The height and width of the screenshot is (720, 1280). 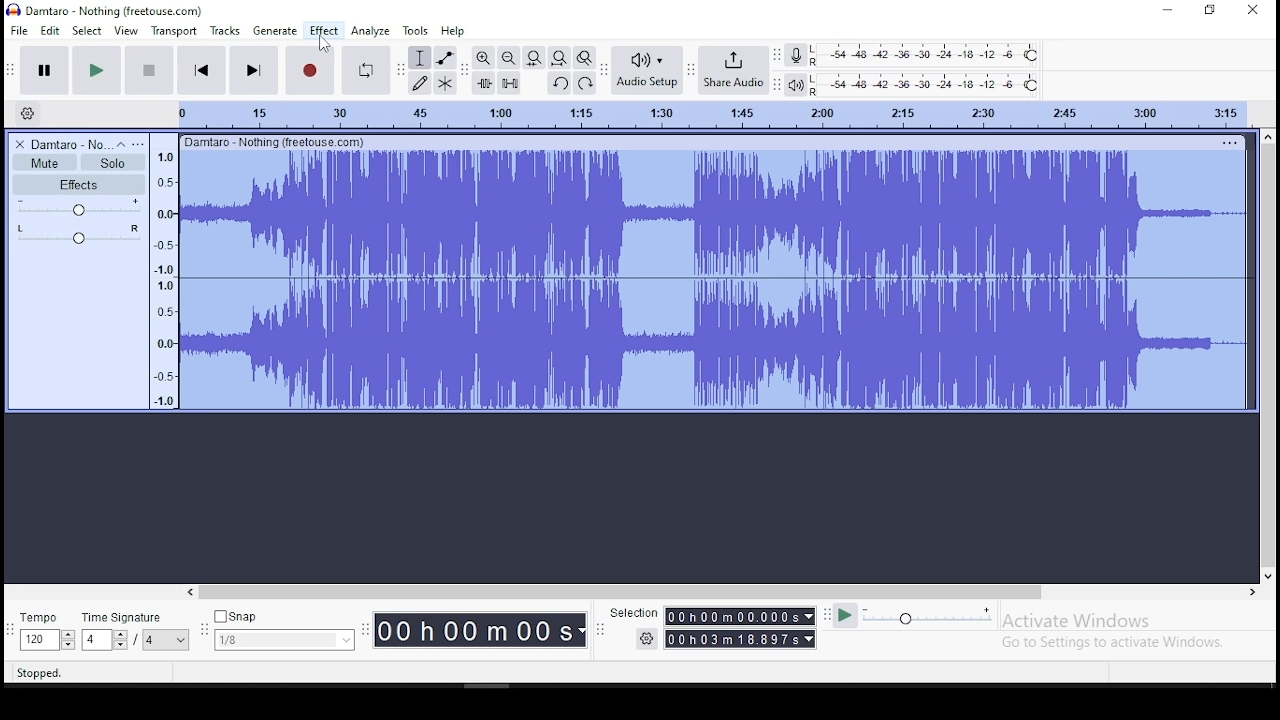 What do you see at coordinates (165, 272) in the screenshot?
I see `amplitude` at bounding box center [165, 272].